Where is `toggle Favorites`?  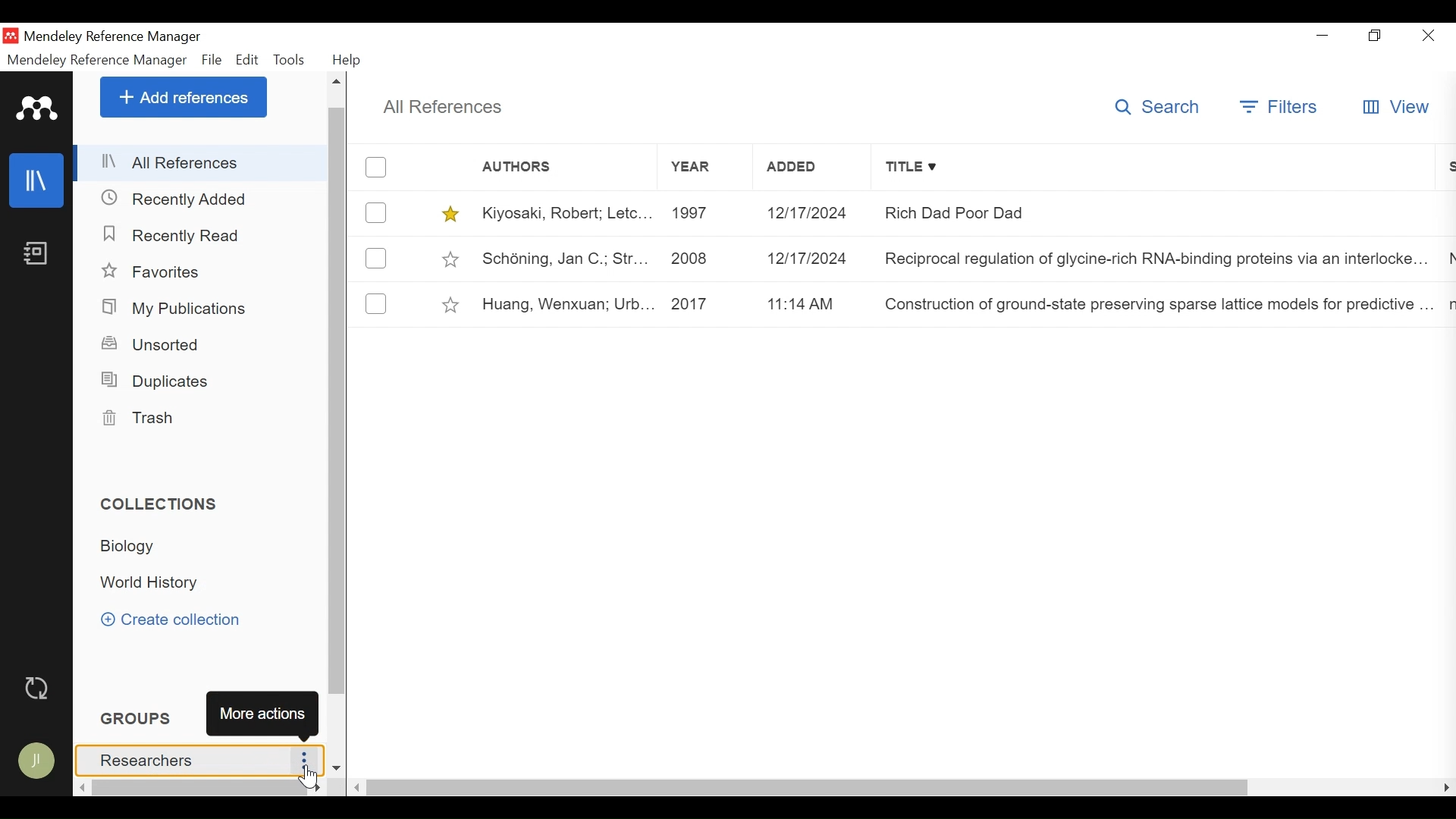
toggle Favorites is located at coordinates (453, 259).